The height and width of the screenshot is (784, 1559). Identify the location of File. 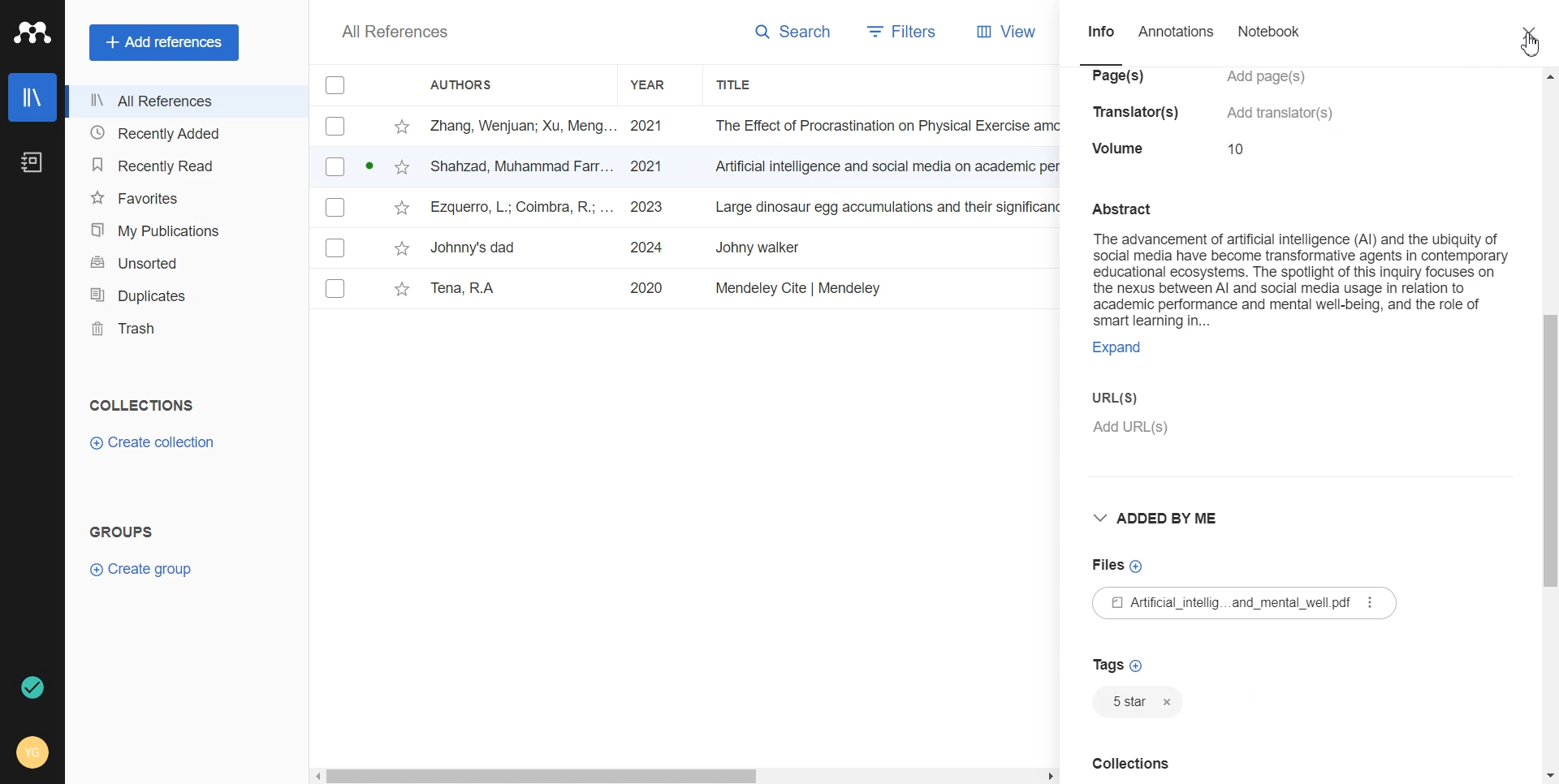
(687, 167).